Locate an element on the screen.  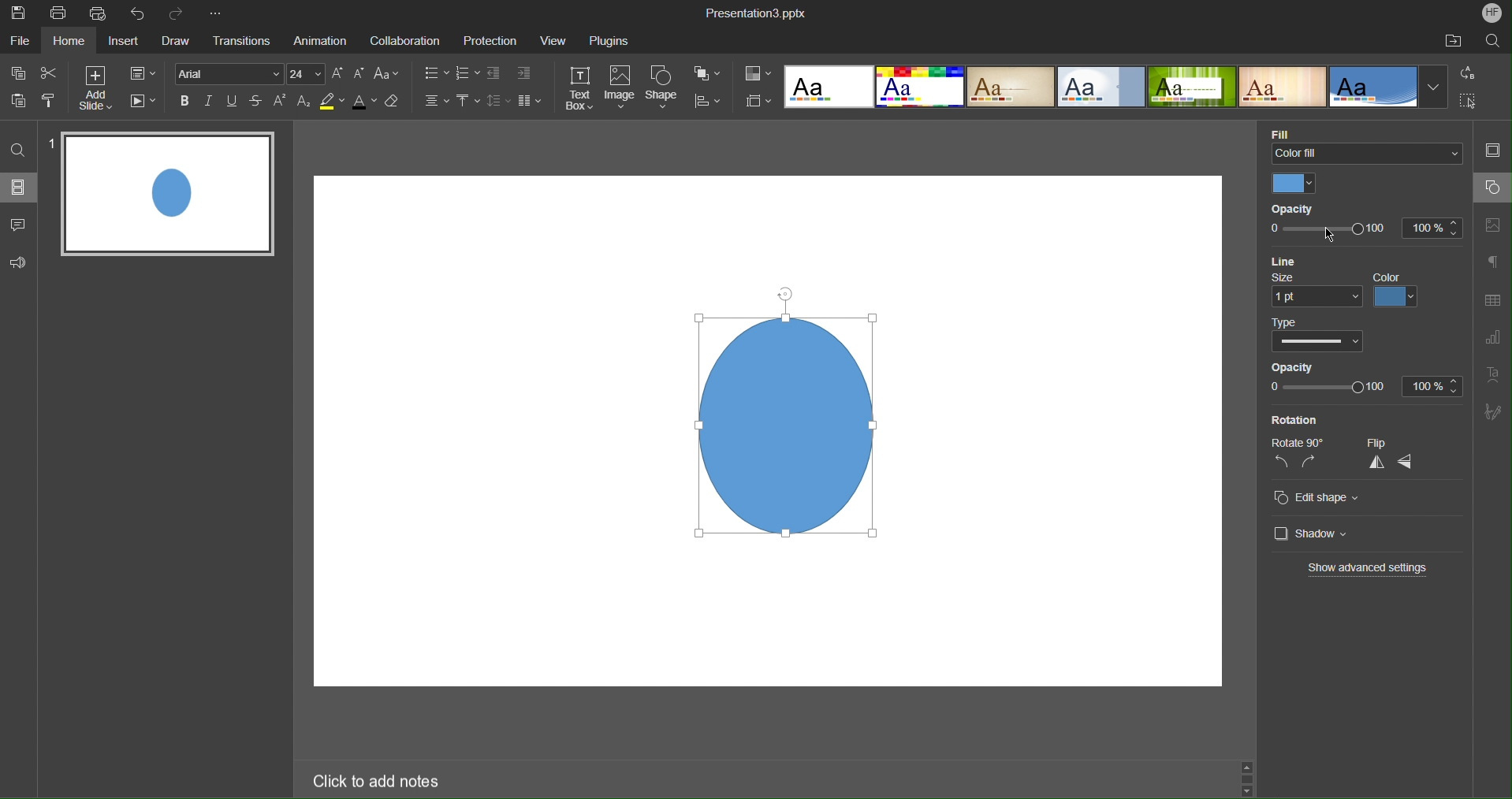
Color fill is located at coordinates (1368, 155).